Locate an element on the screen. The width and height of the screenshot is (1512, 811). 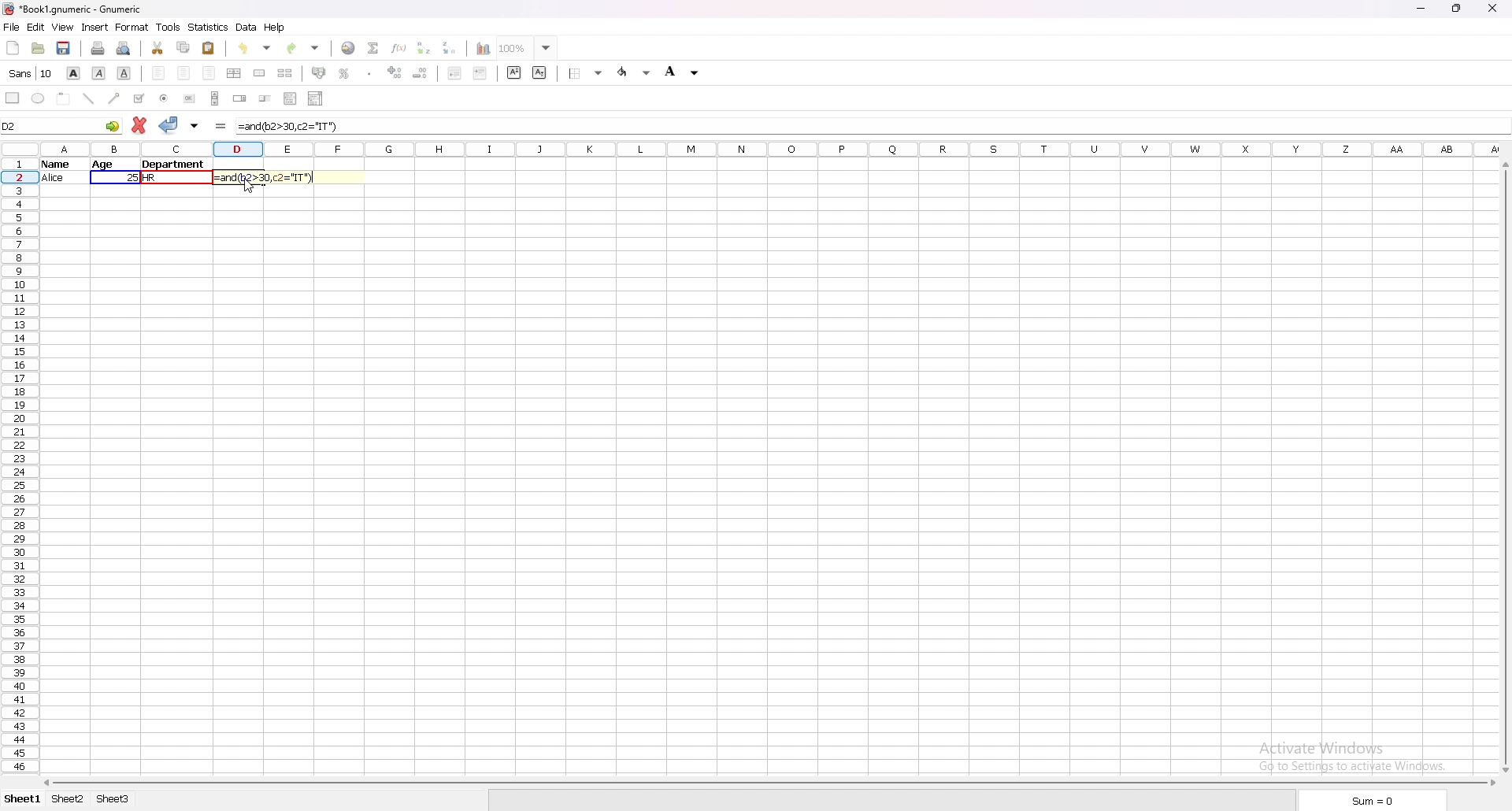
cancel changes is located at coordinates (139, 125).